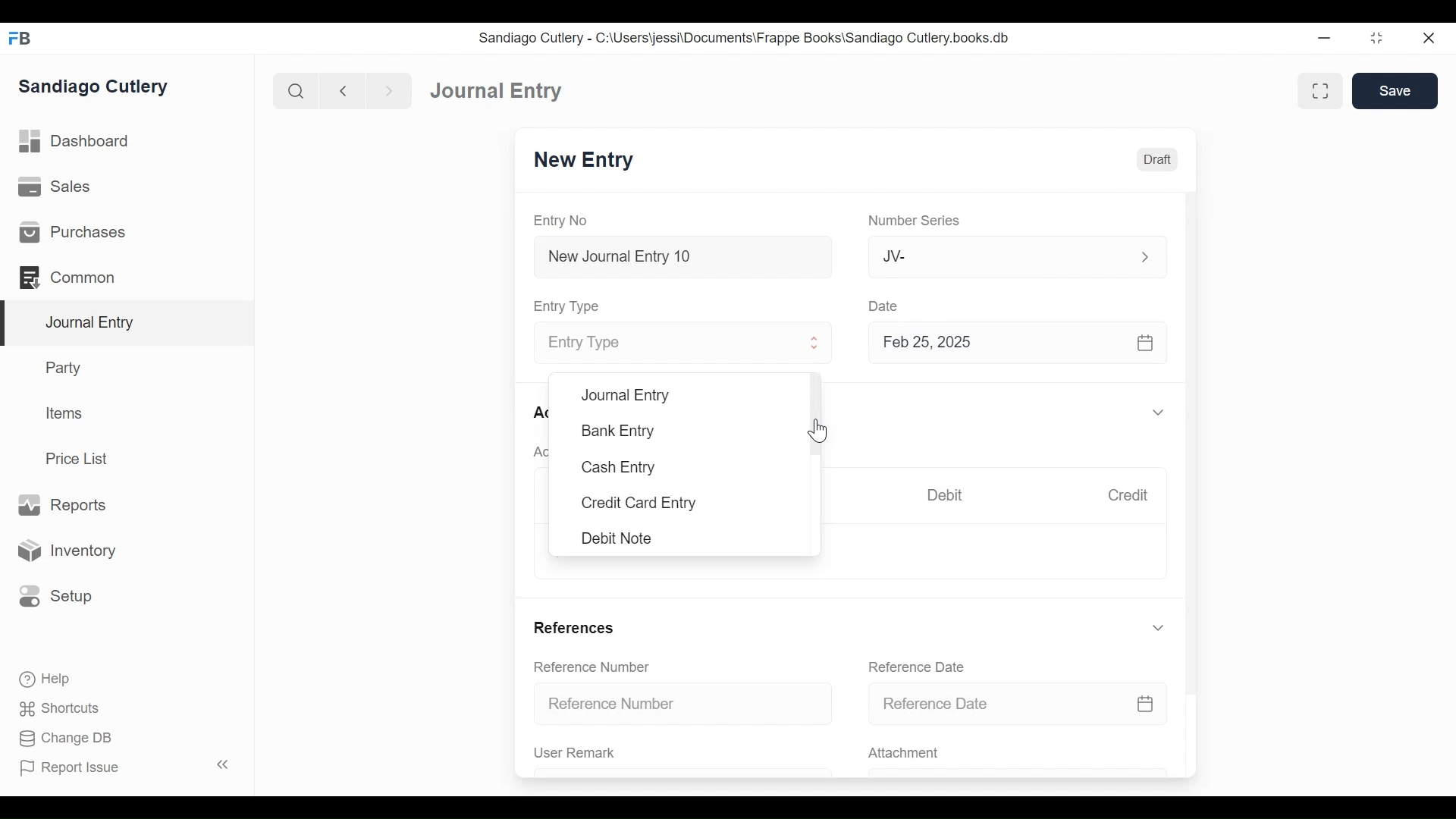  Describe the element at coordinates (1318, 89) in the screenshot. I see `Toggle between form and full width` at that location.